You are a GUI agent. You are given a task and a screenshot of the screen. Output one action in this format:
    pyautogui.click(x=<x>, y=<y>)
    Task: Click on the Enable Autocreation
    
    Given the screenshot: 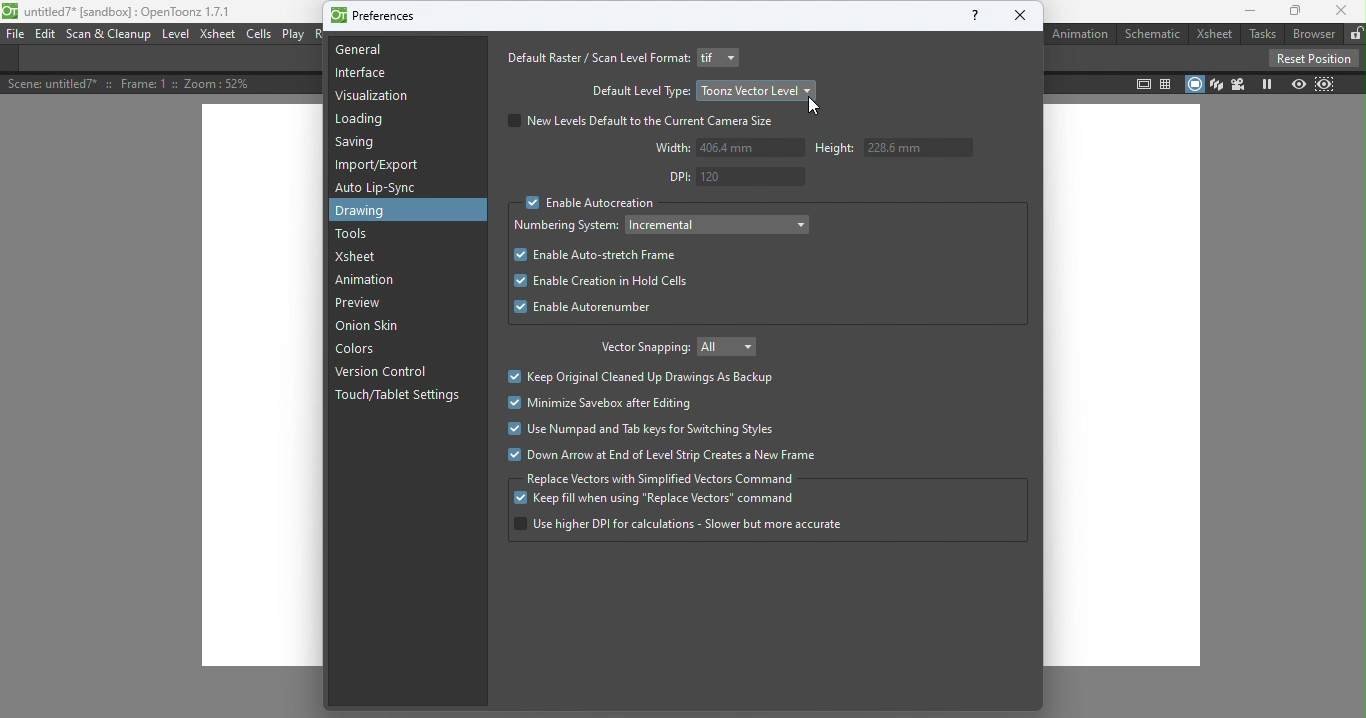 What is the action you would take?
    pyautogui.click(x=590, y=204)
    